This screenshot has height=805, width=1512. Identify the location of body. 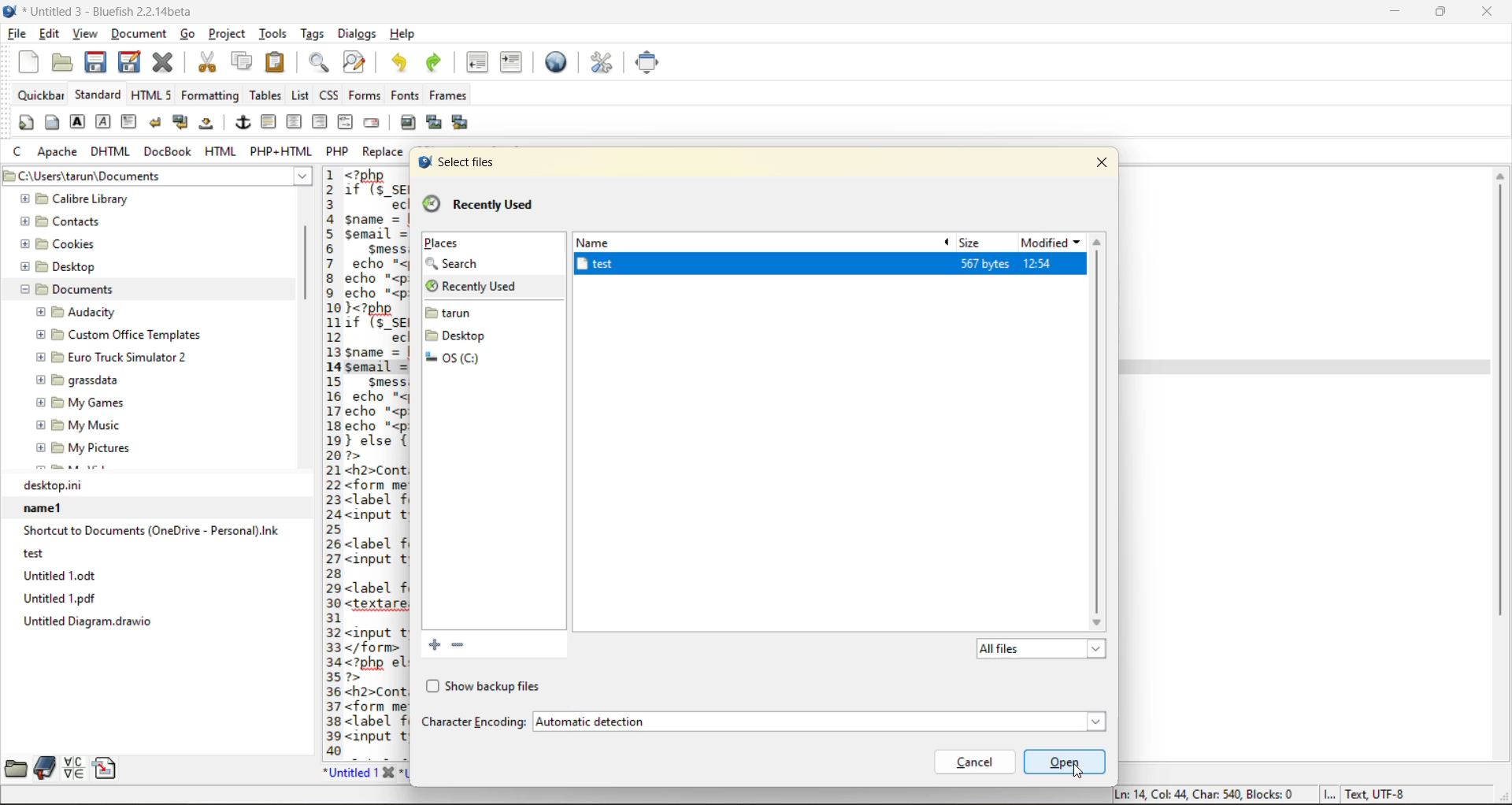
(52, 124).